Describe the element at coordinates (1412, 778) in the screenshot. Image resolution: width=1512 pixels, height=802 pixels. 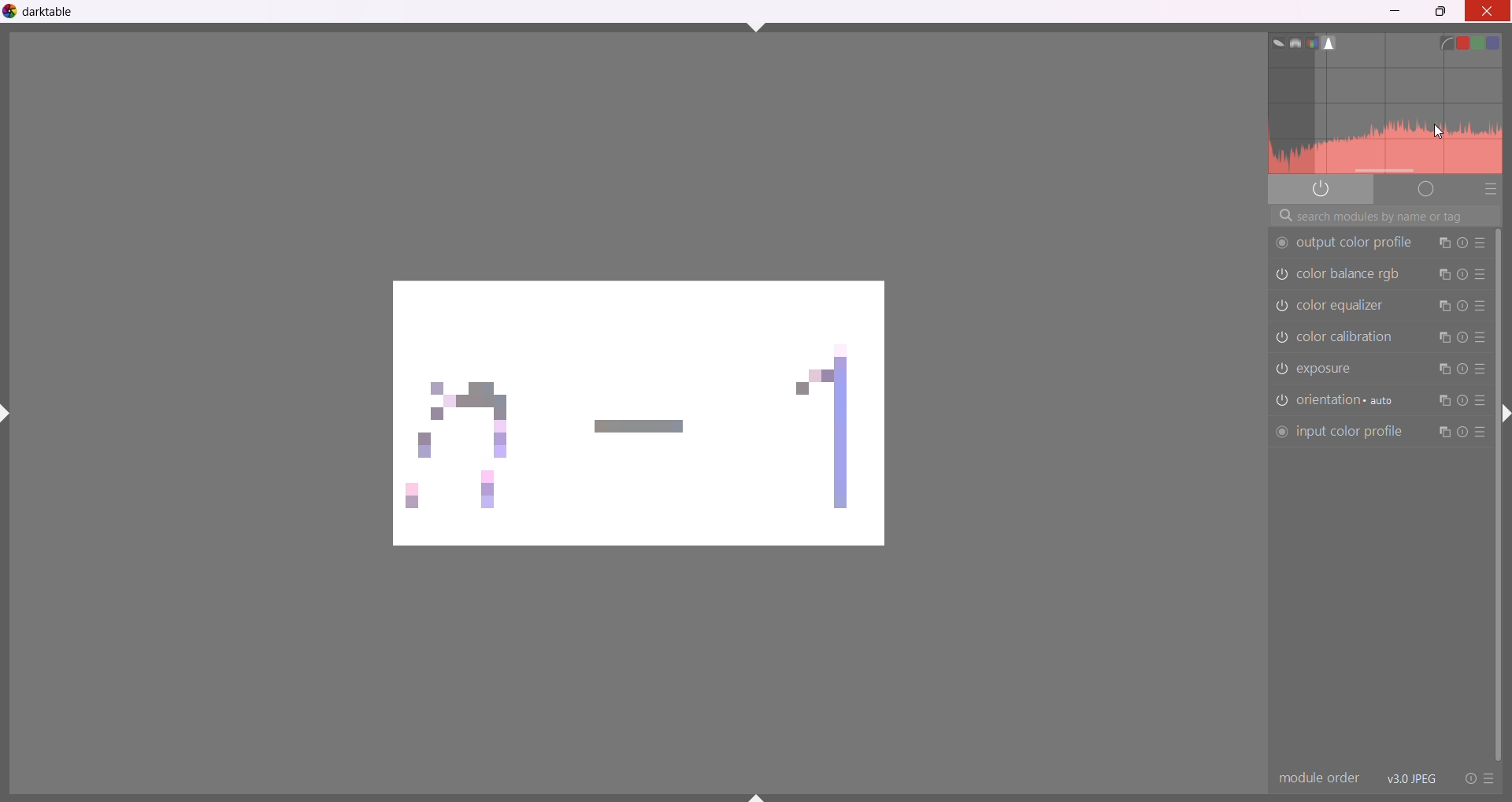
I see `version` at that location.